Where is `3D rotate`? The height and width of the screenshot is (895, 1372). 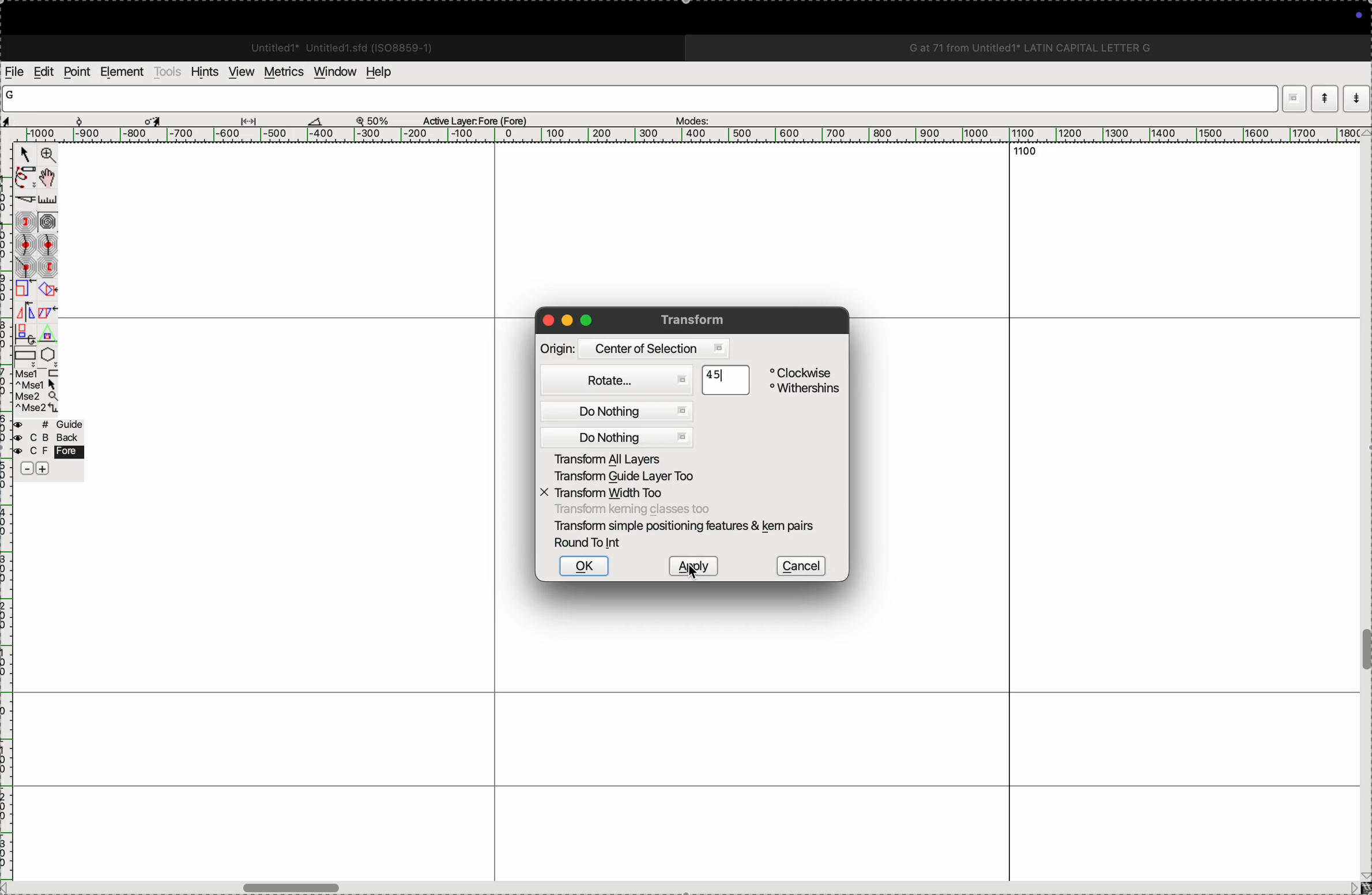 3D rotate is located at coordinates (25, 334).